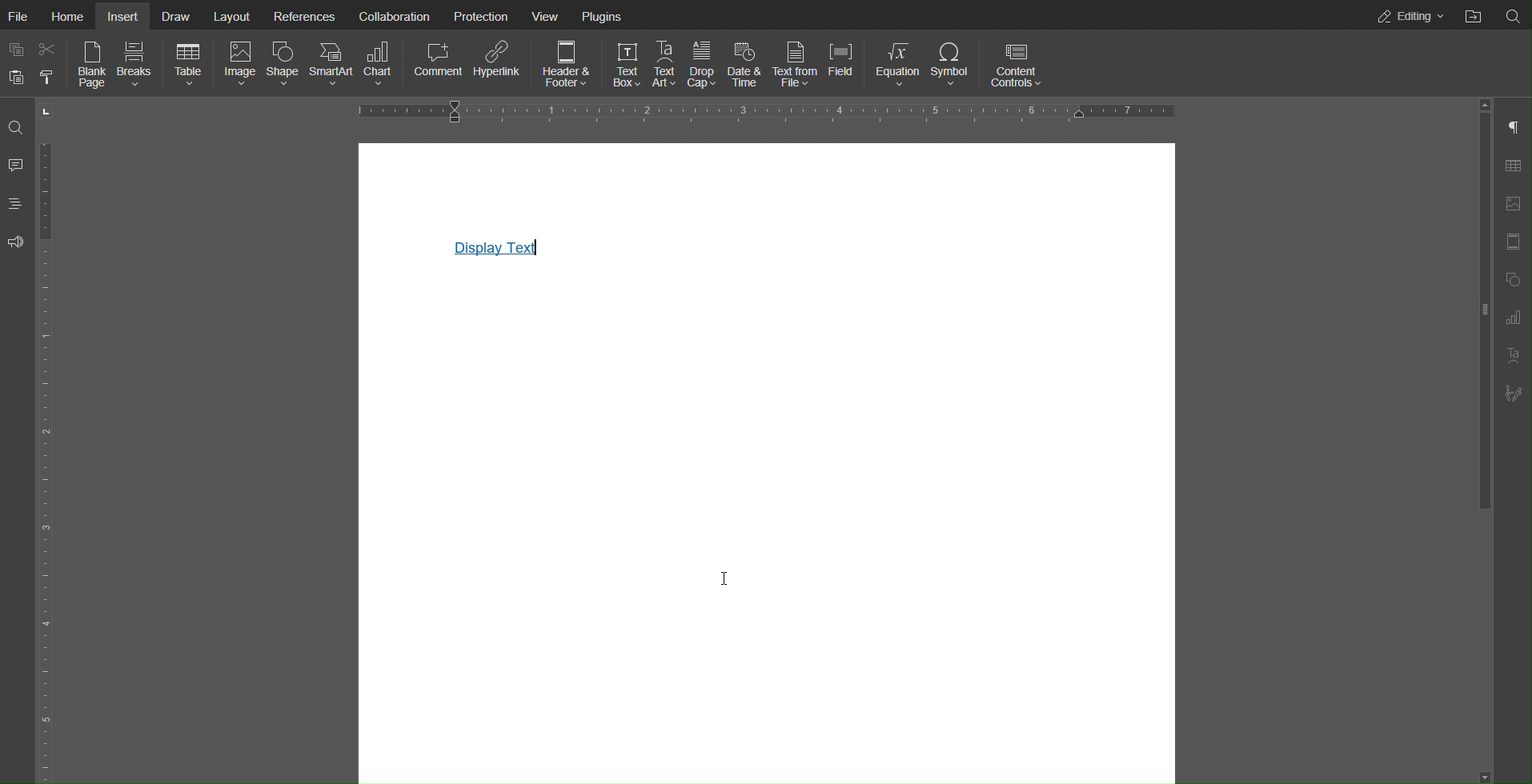 The width and height of the screenshot is (1532, 784). I want to click on Layout, so click(234, 15).